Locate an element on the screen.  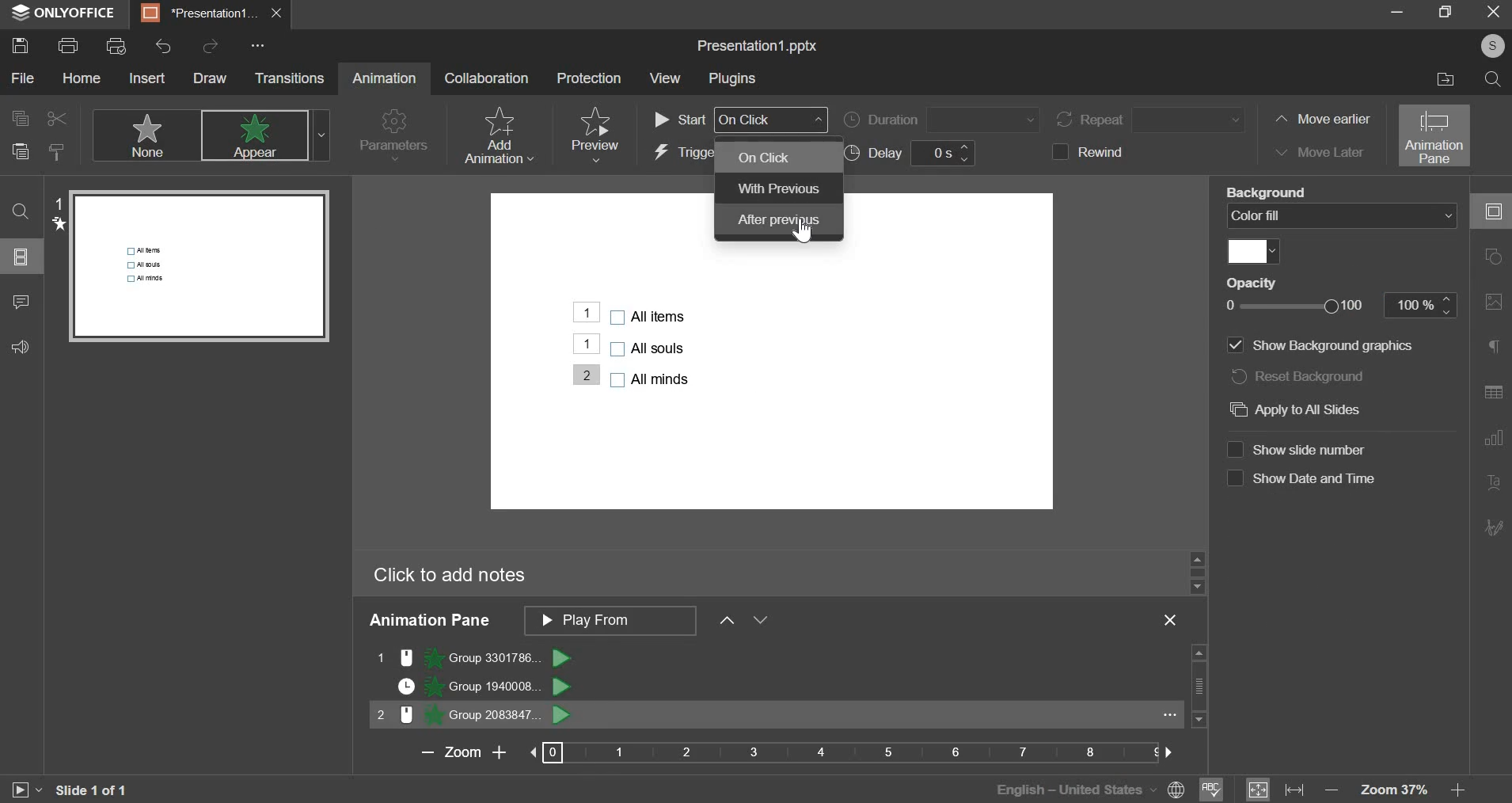
slideshow is located at coordinates (25, 788).